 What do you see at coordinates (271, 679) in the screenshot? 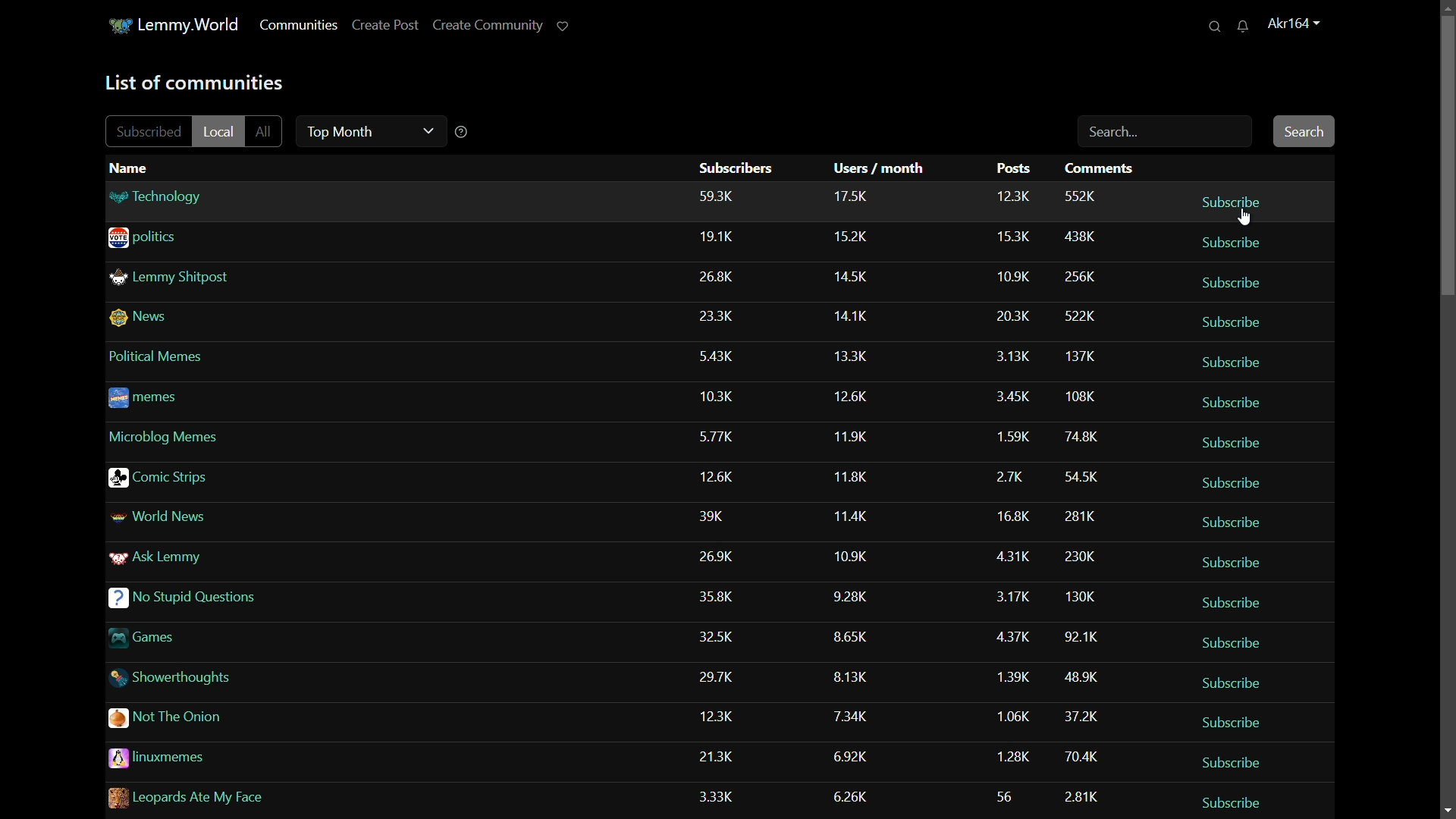
I see `` at bounding box center [271, 679].